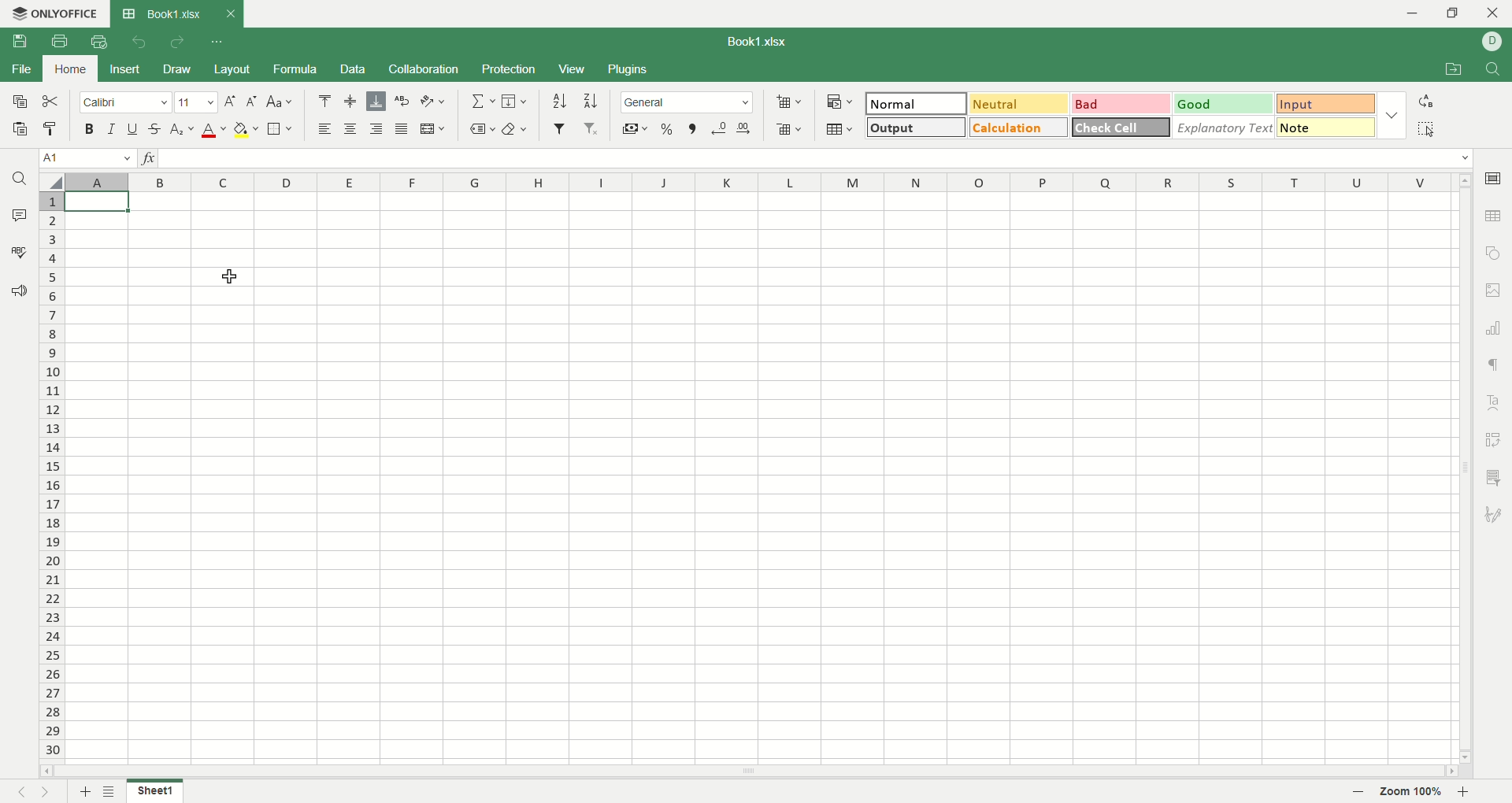 This screenshot has width=1512, height=803. I want to click on delete cell, so click(789, 131).